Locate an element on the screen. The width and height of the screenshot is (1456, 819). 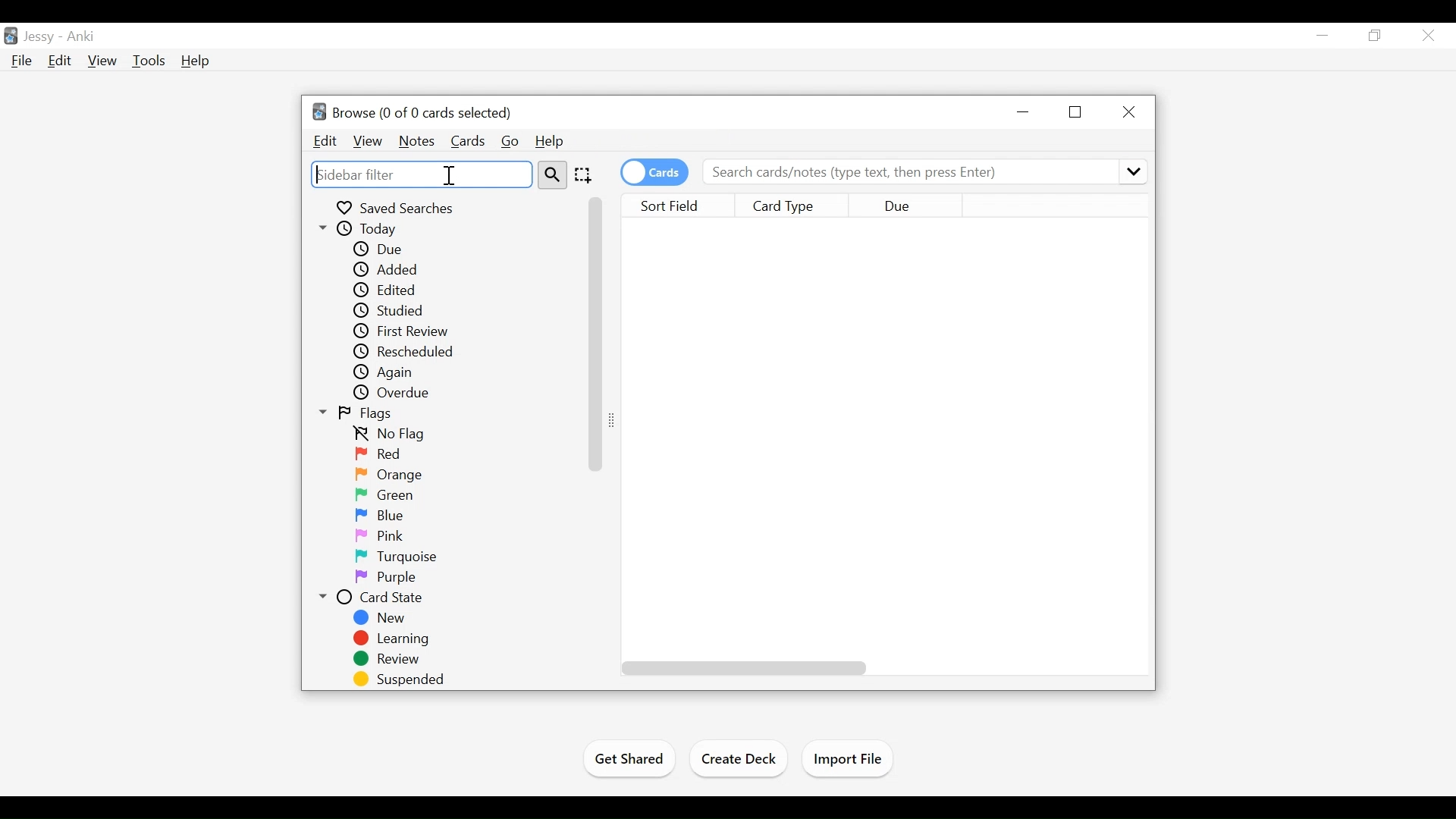
Help is located at coordinates (194, 61).